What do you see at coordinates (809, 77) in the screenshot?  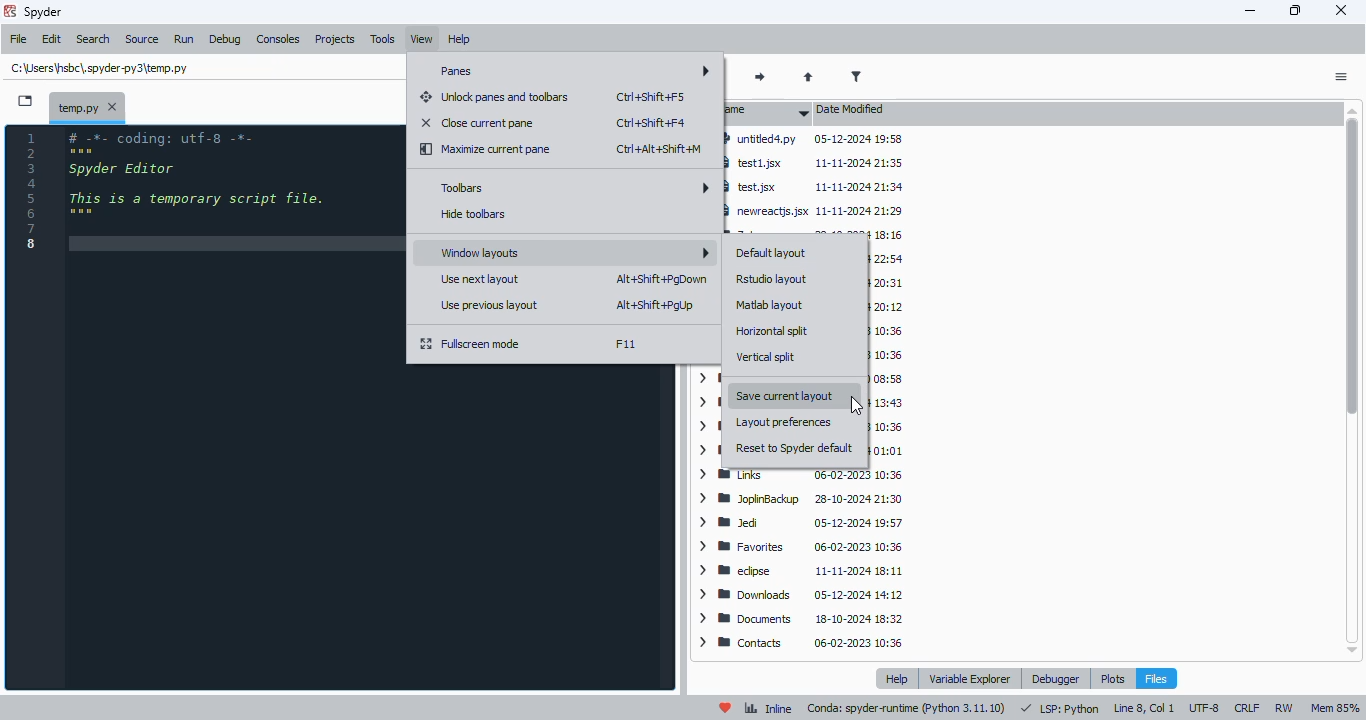 I see `parent` at bounding box center [809, 77].